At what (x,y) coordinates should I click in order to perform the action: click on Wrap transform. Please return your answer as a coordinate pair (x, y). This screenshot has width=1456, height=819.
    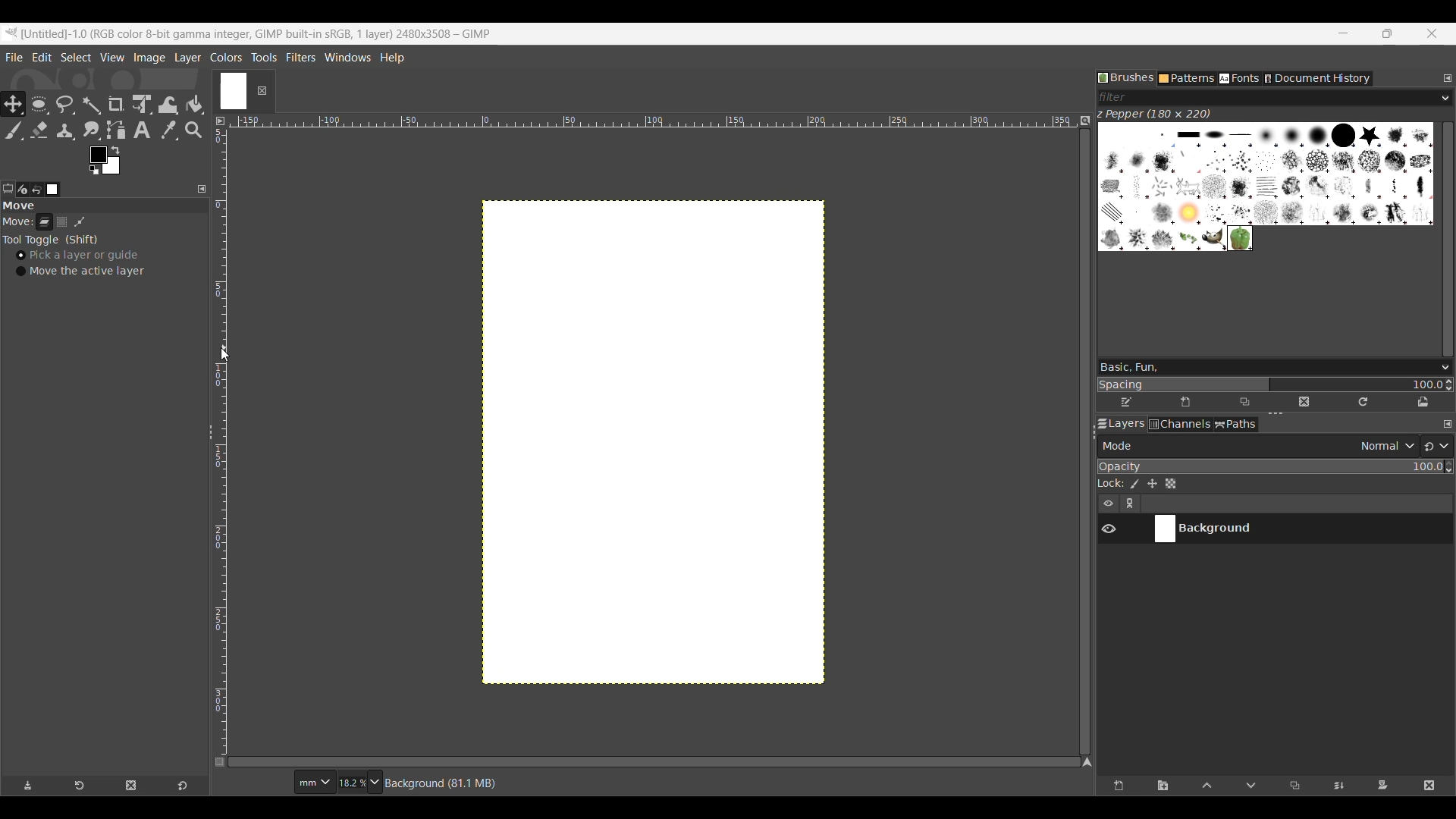
    Looking at the image, I should click on (168, 105).